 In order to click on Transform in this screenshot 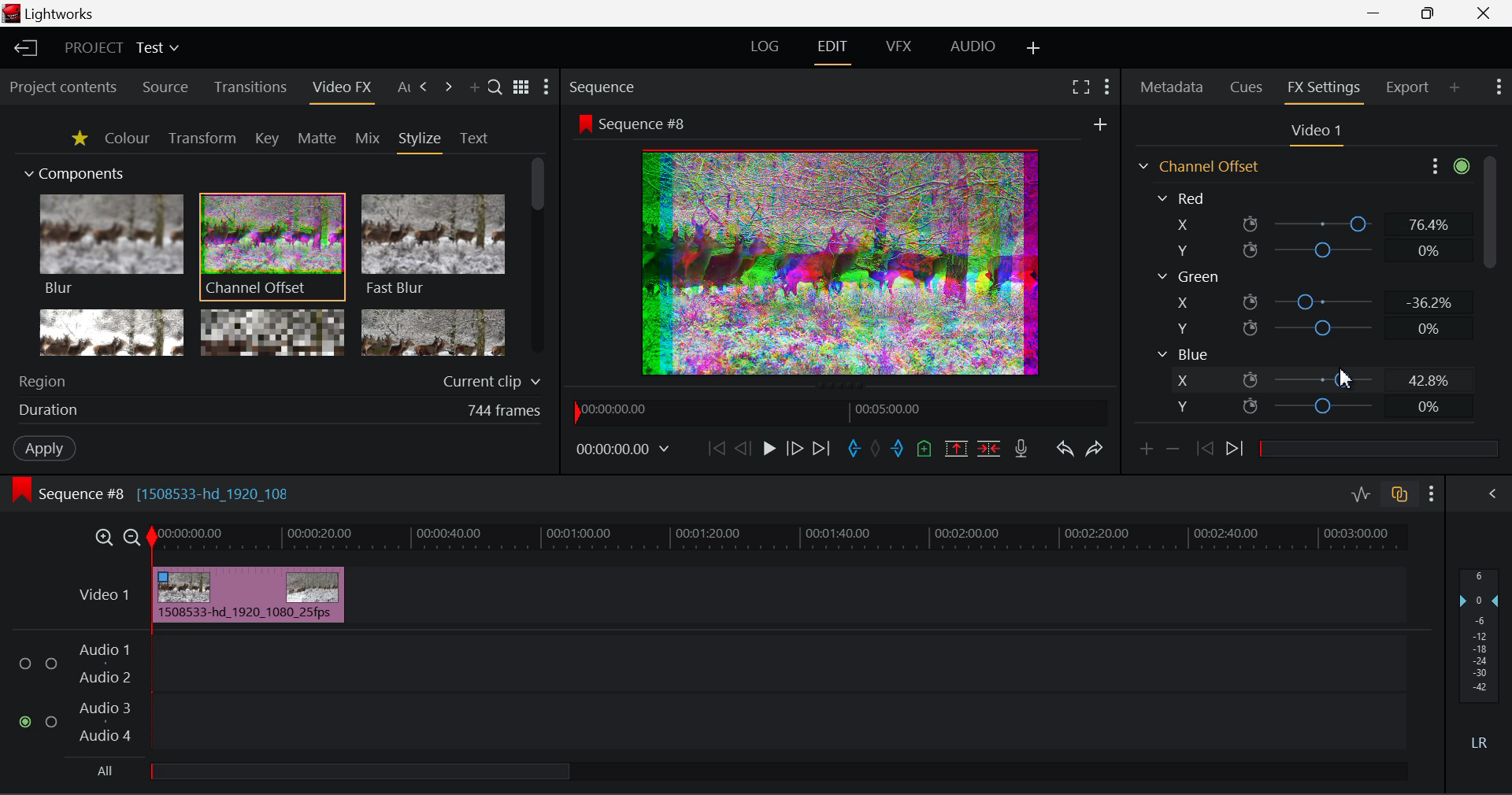, I will do `click(202, 139)`.